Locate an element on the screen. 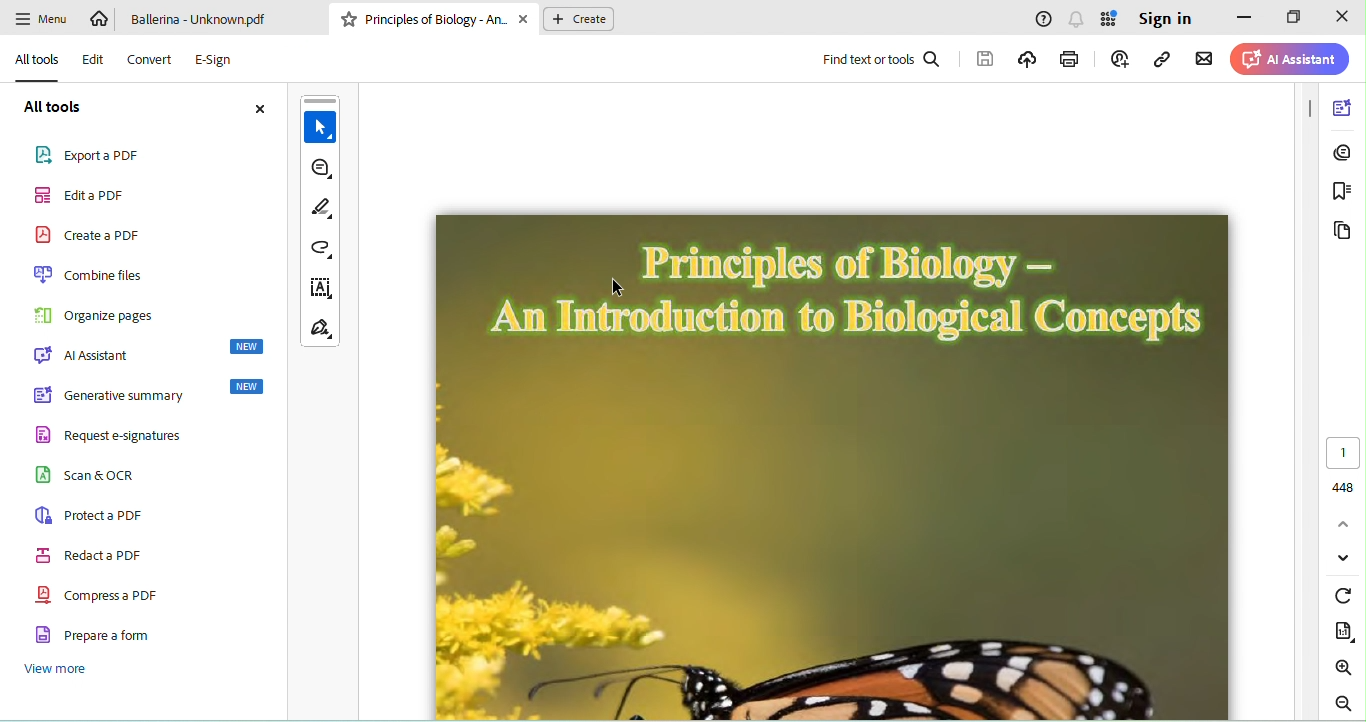 Image resolution: width=1366 pixels, height=722 pixels. close is located at coordinates (256, 107).